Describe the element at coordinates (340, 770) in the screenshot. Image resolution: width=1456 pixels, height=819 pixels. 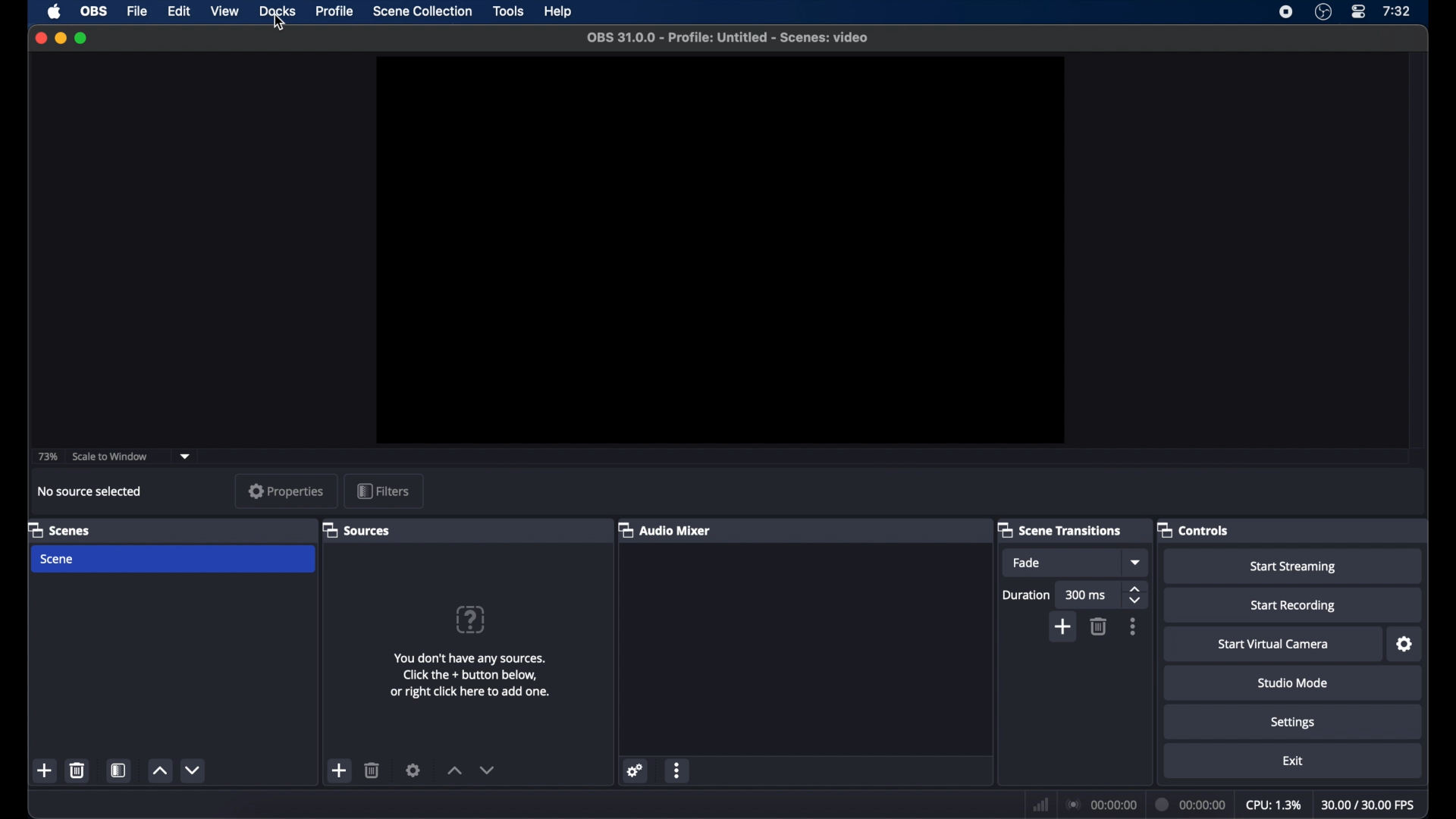
I see `add` at that location.